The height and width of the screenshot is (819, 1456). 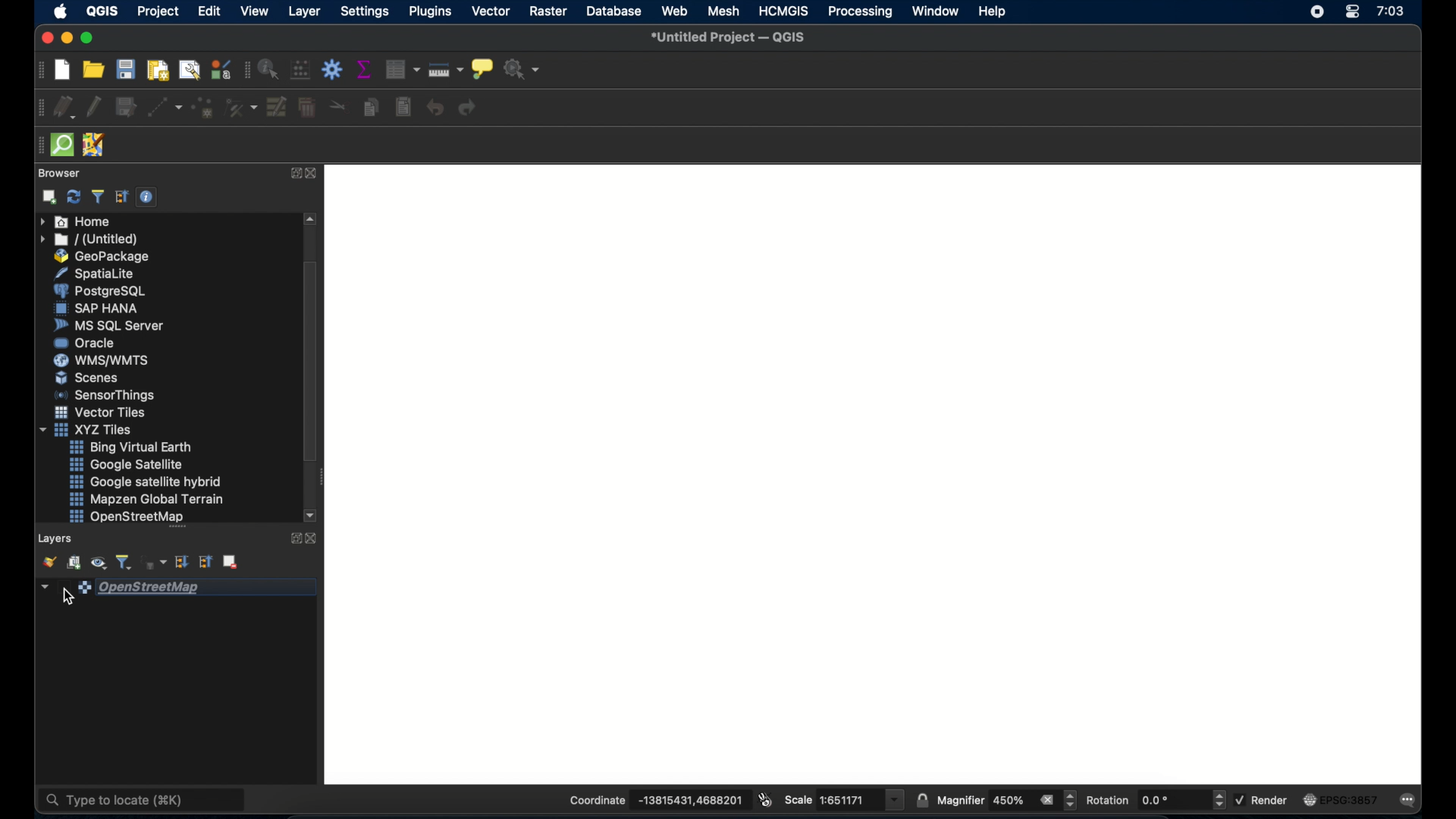 I want to click on postgresql, so click(x=100, y=291).